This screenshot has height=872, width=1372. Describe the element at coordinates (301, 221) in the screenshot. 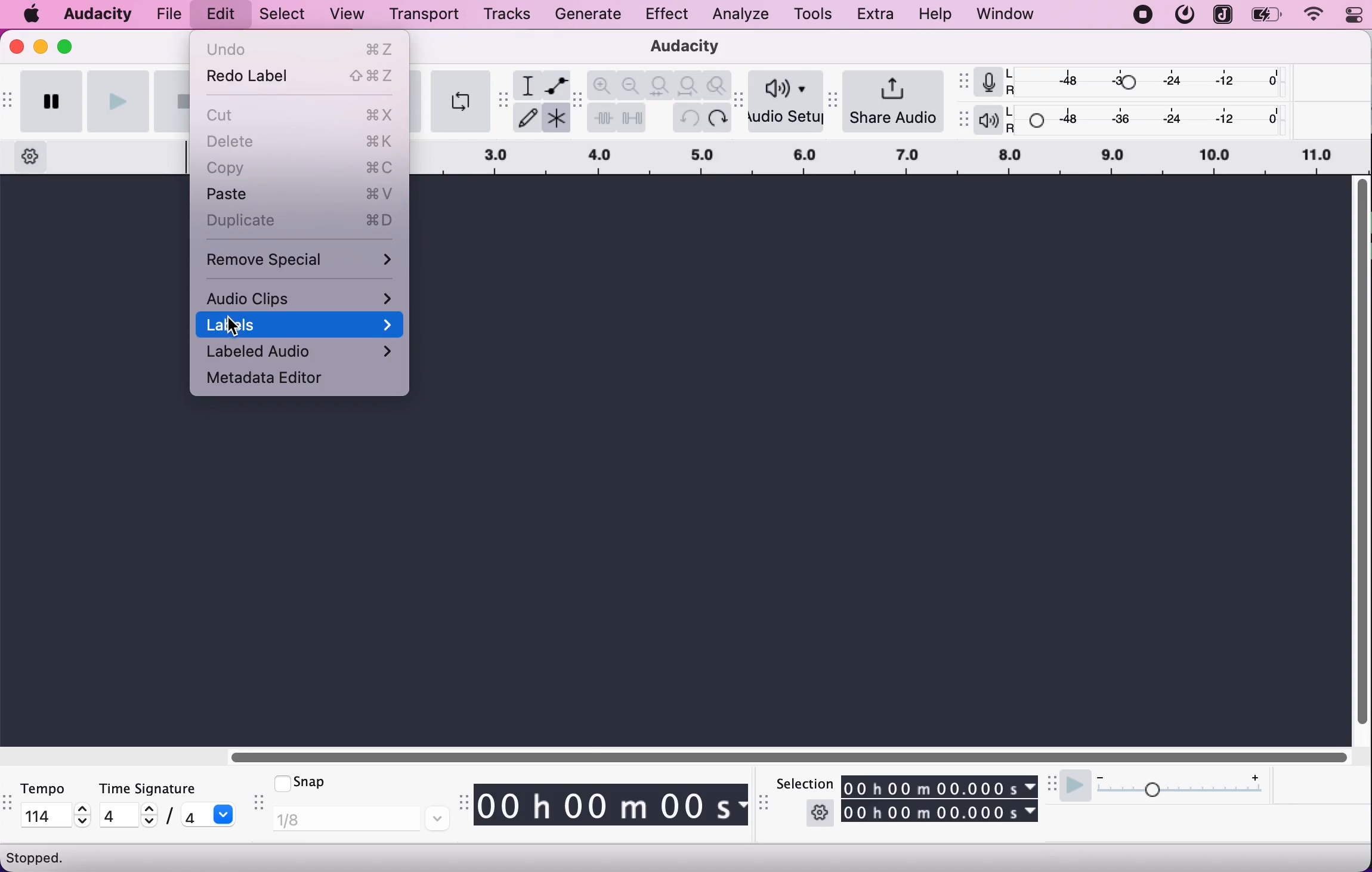

I see `duplicate` at that location.